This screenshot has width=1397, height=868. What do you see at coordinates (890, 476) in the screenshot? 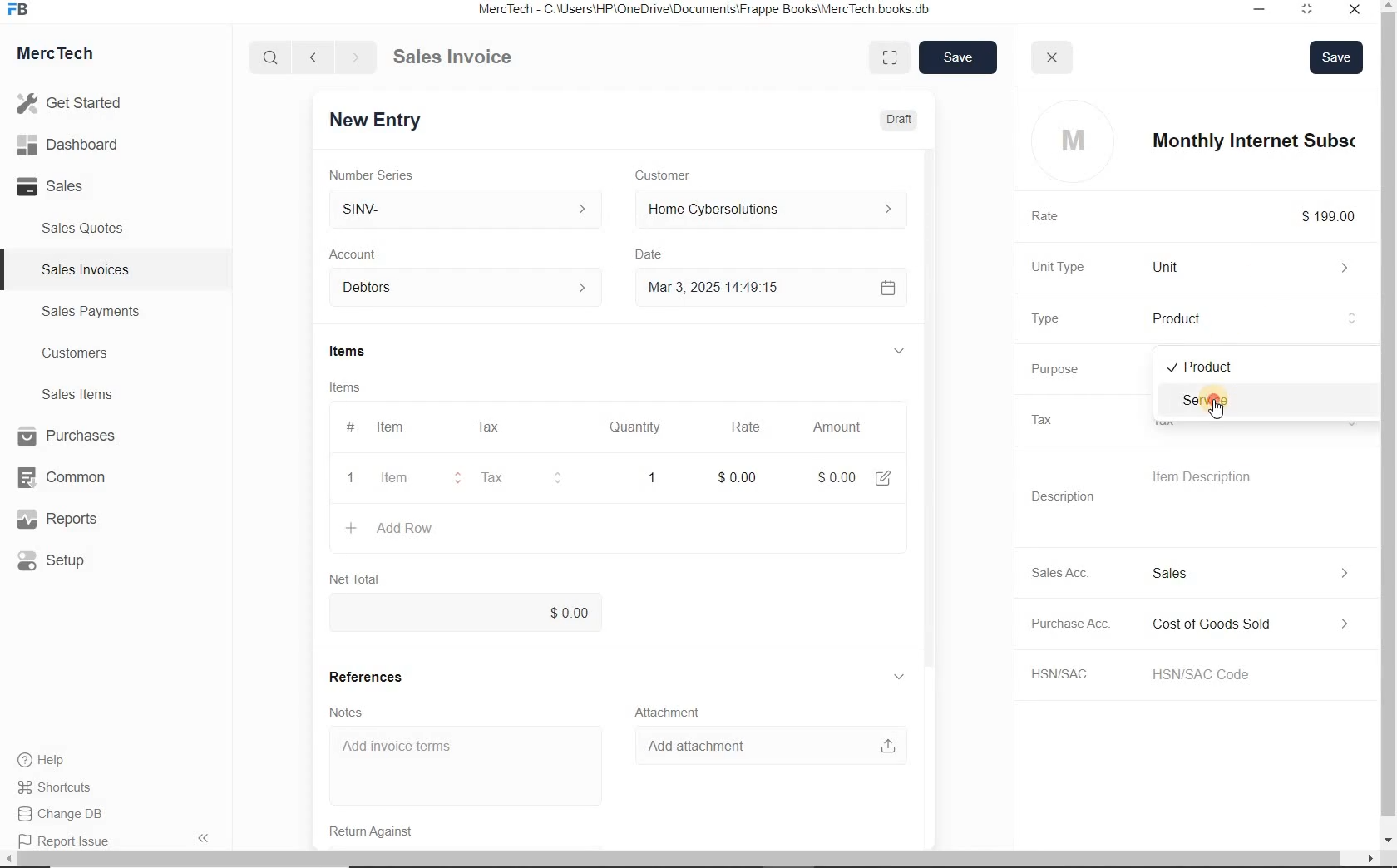
I see `edit` at bounding box center [890, 476].